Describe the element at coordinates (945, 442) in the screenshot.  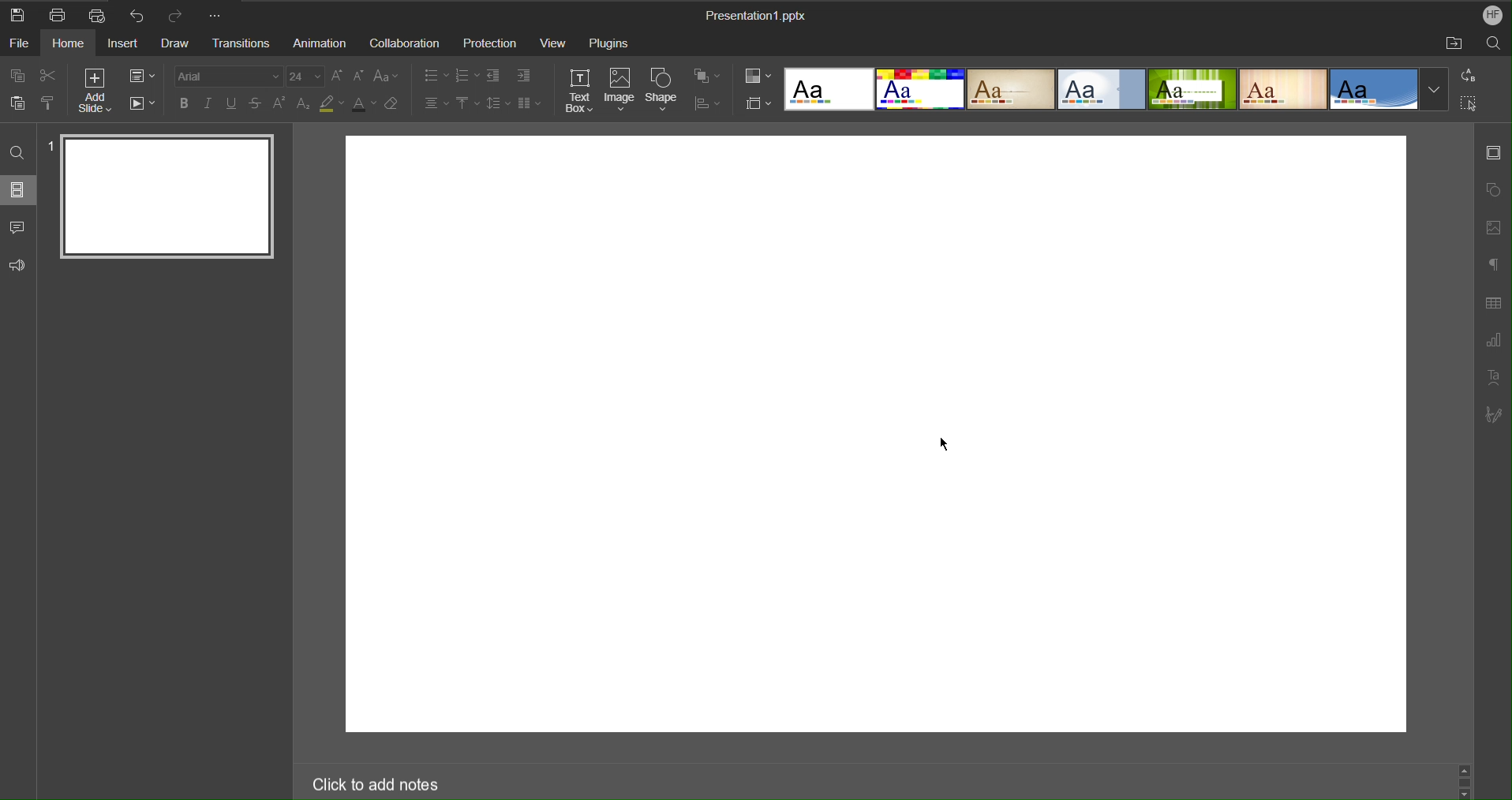
I see `cursor` at that location.